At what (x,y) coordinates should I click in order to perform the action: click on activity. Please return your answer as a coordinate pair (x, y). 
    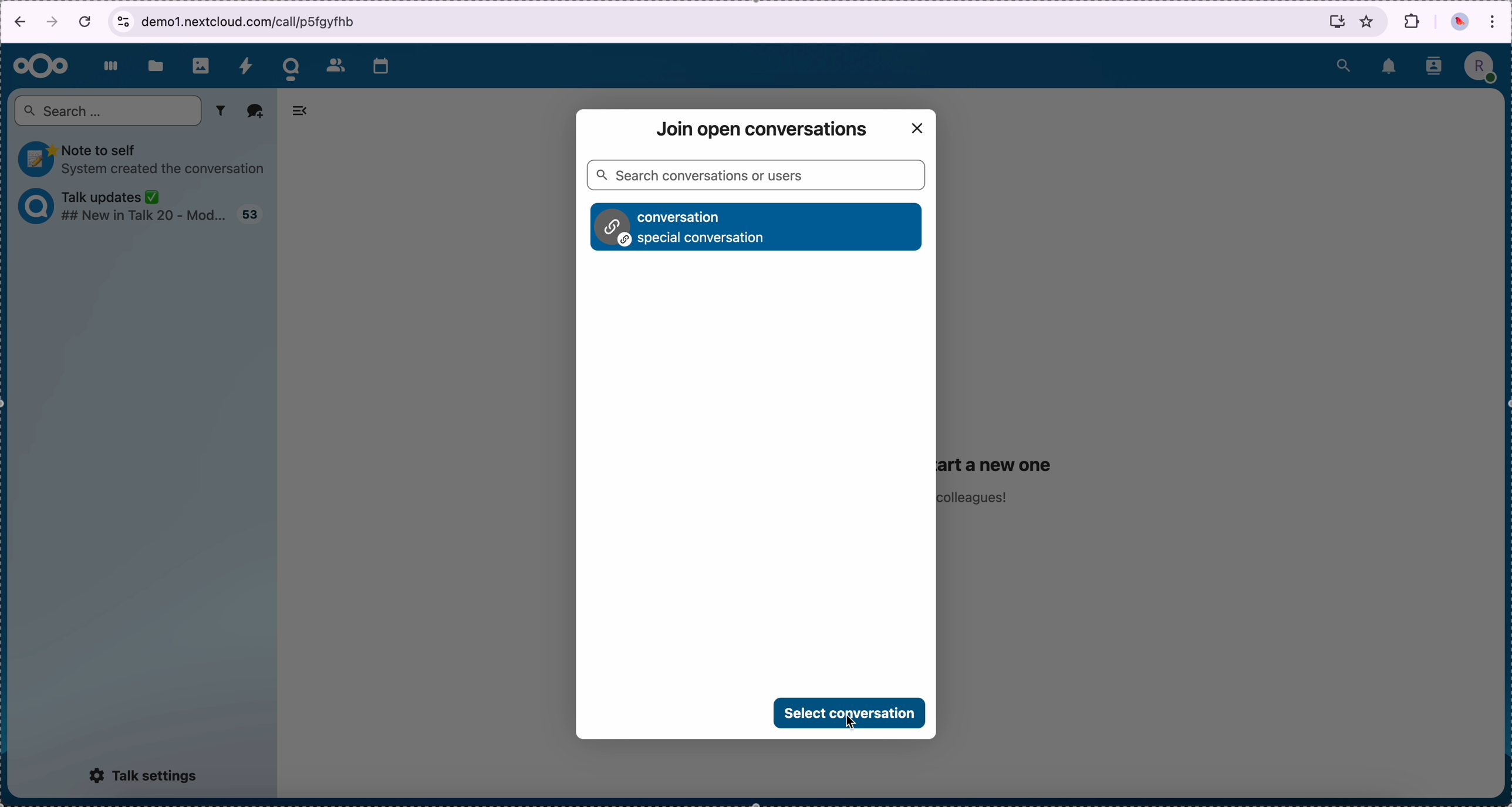
    Looking at the image, I should click on (247, 63).